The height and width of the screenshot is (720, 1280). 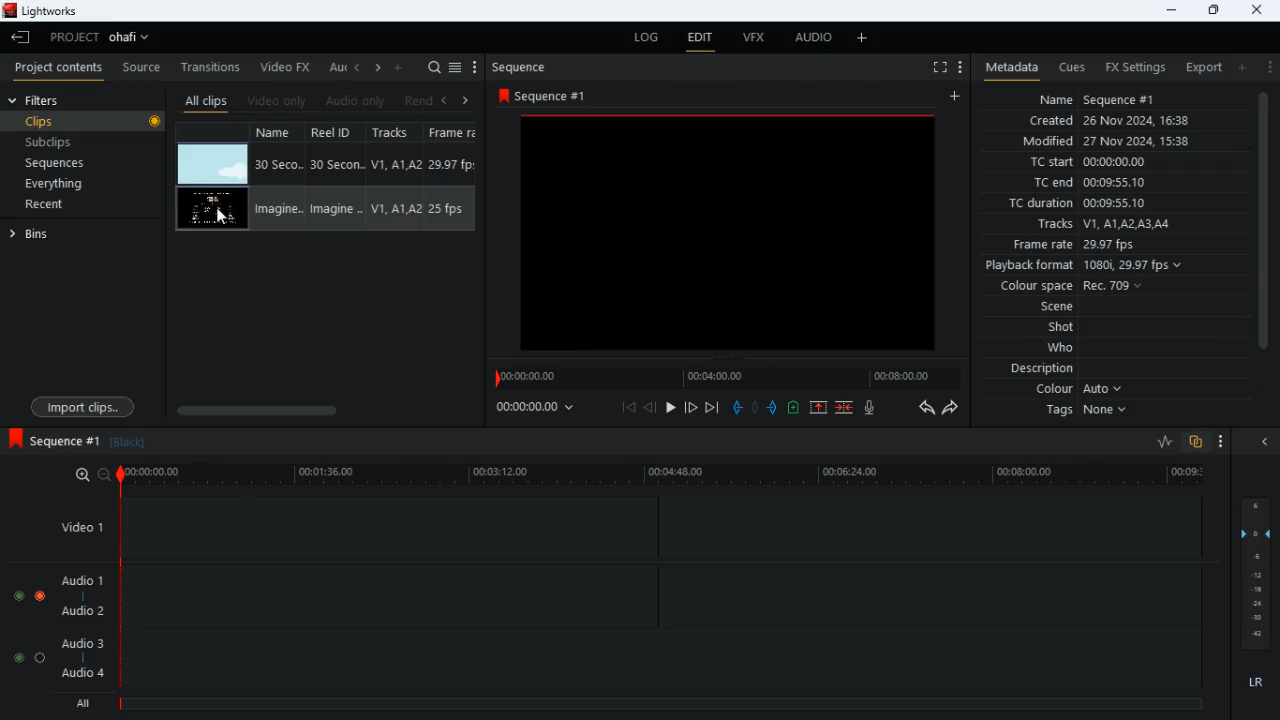 What do you see at coordinates (639, 40) in the screenshot?
I see `log` at bounding box center [639, 40].